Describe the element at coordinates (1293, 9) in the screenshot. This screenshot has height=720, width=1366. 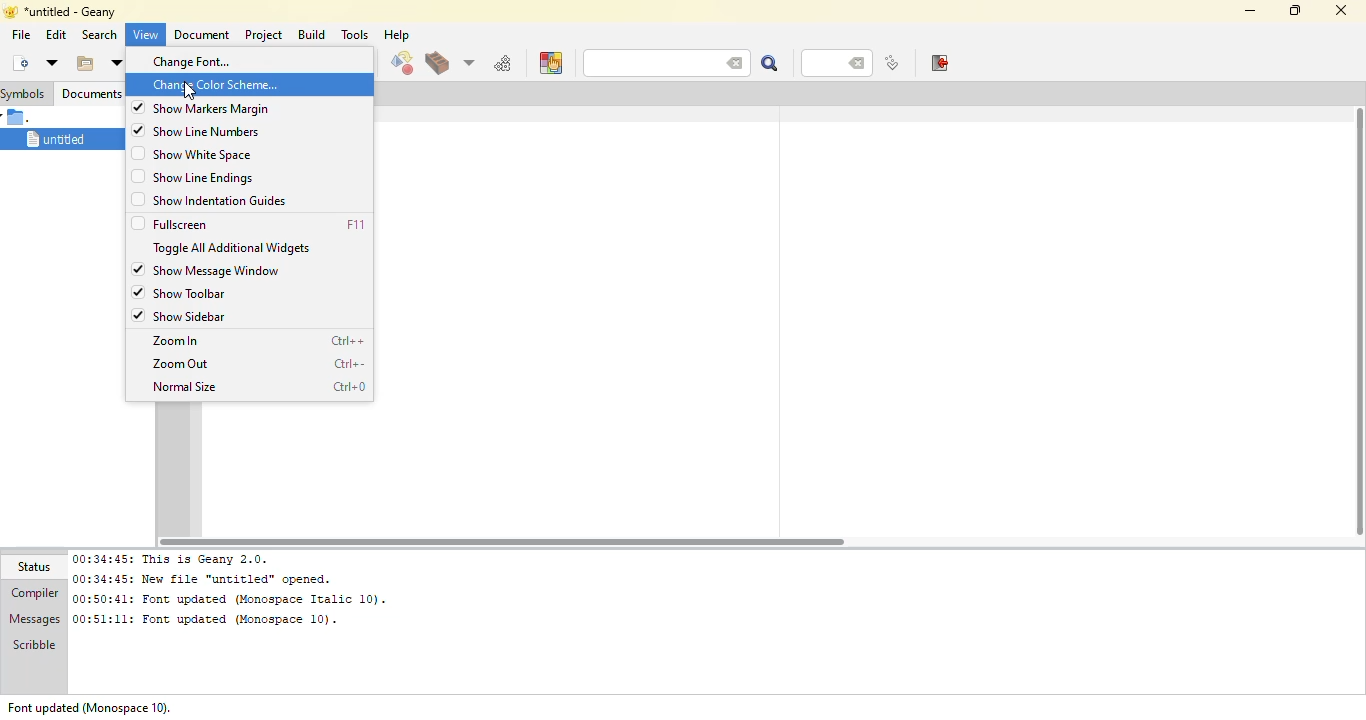
I see `maximize` at that location.